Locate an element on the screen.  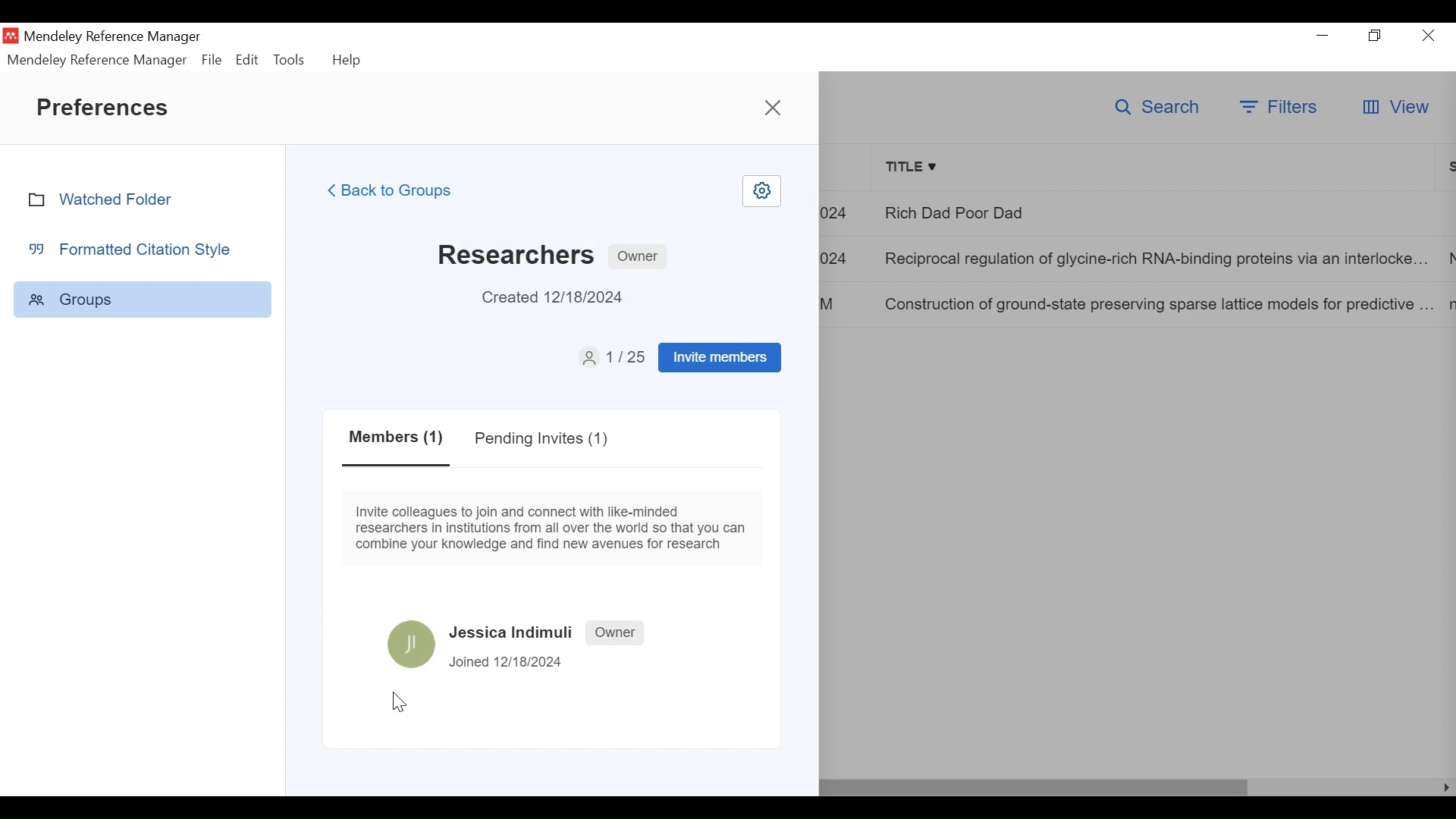
Restore is located at coordinates (1375, 35).